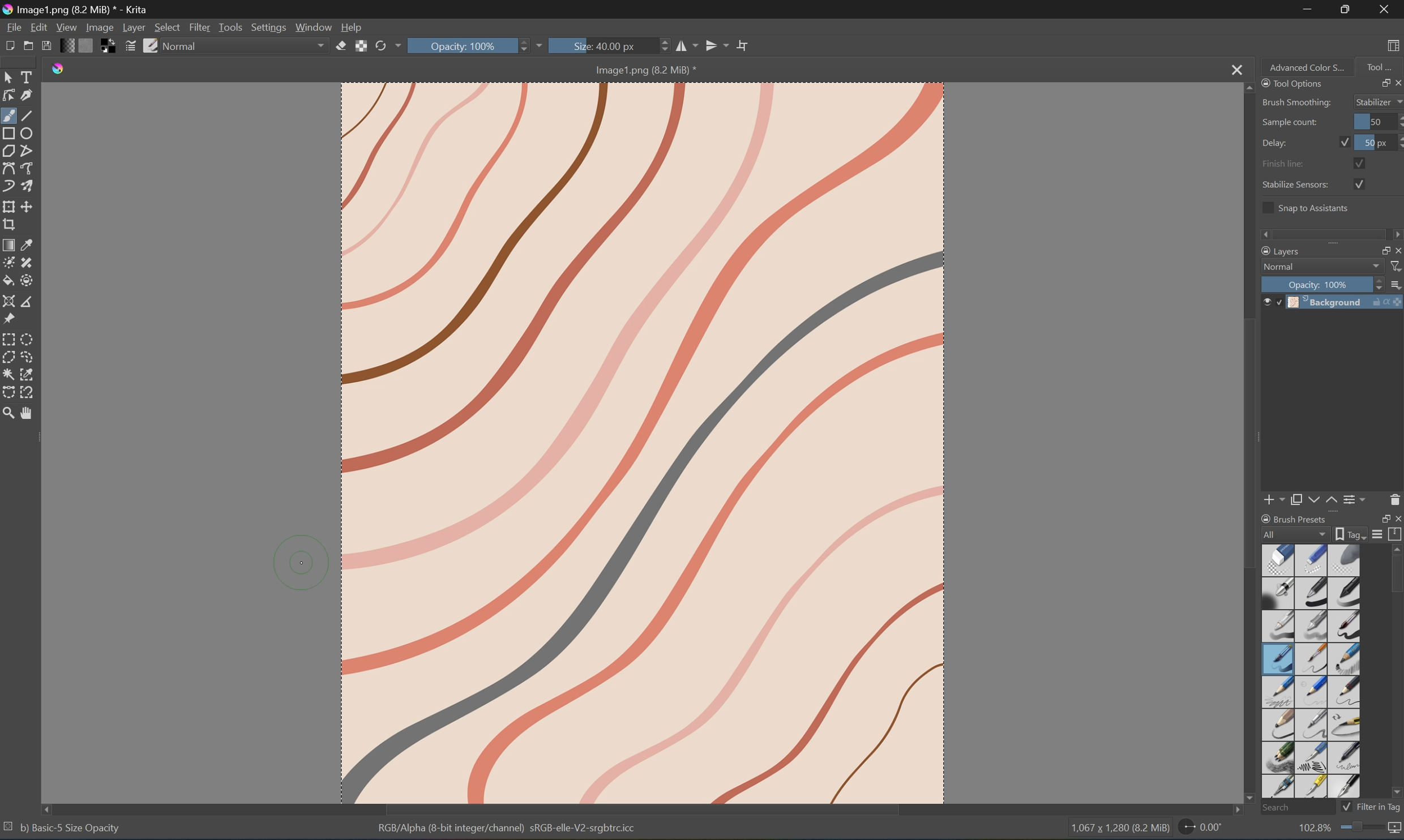 The height and width of the screenshot is (840, 1404). What do you see at coordinates (9, 357) in the screenshot?
I see `Polygonal selection tool` at bounding box center [9, 357].